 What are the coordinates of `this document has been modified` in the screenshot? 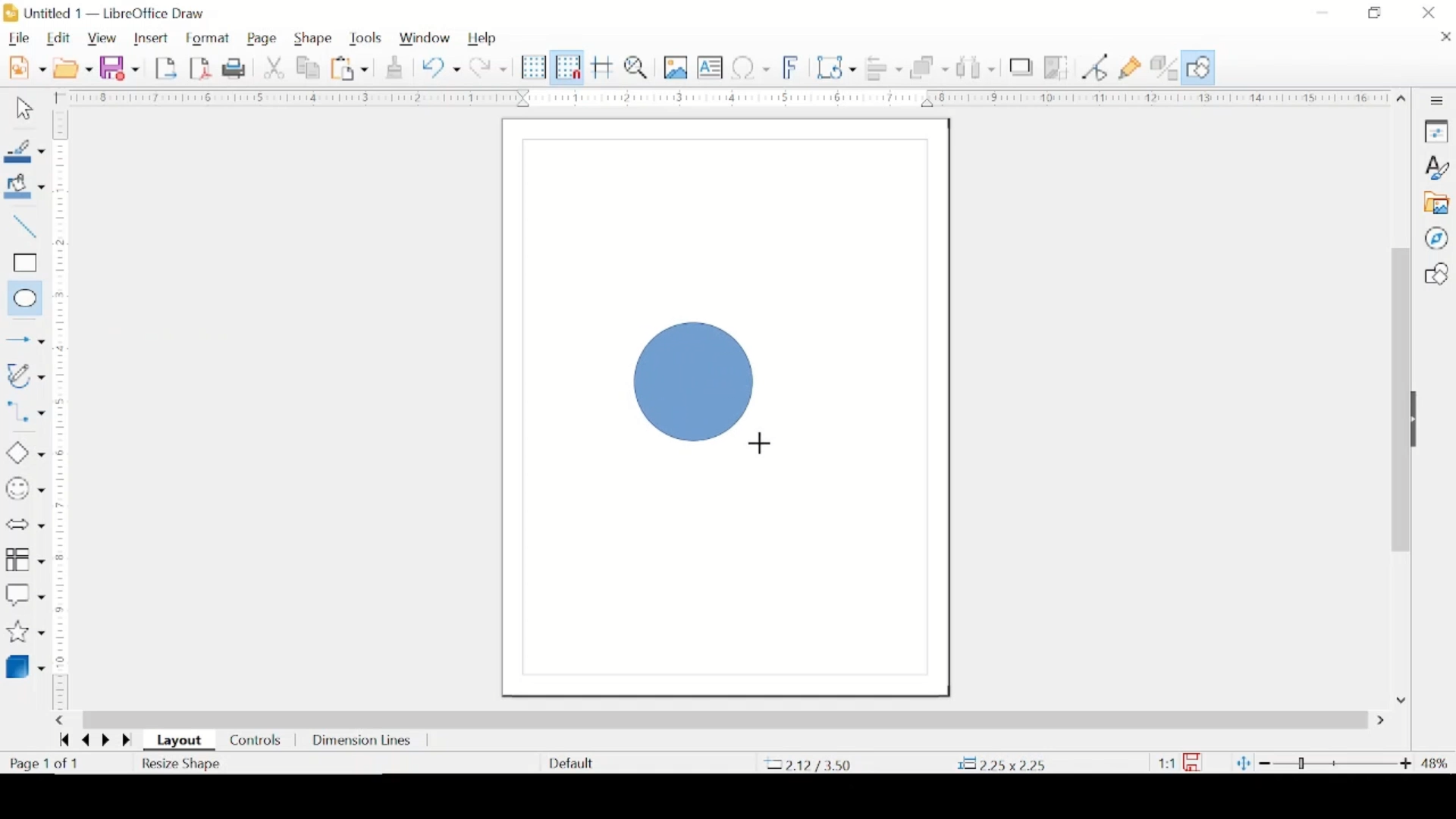 It's located at (1182, 761).